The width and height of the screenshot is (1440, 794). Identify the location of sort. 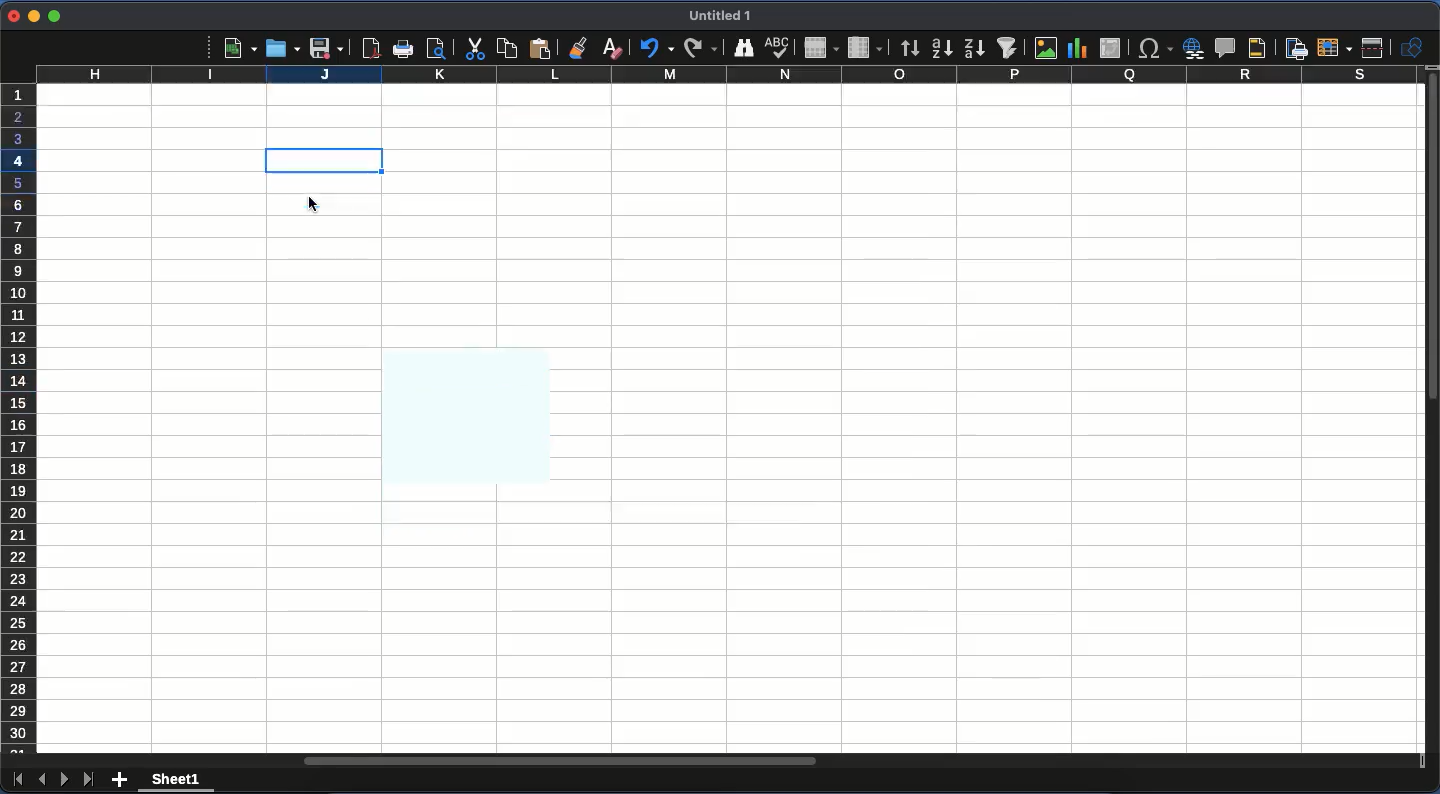
(909, 47).